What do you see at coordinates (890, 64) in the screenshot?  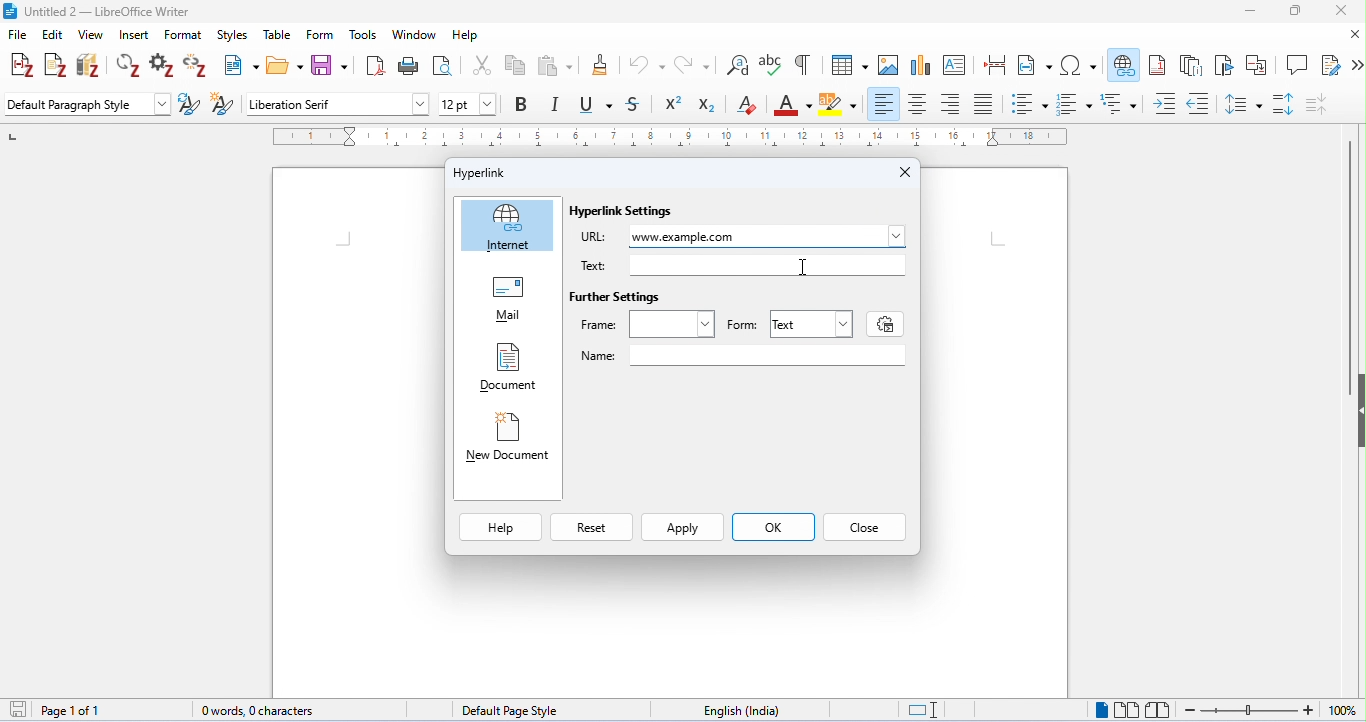 I see `insert image` at bounding box center [890, 64].